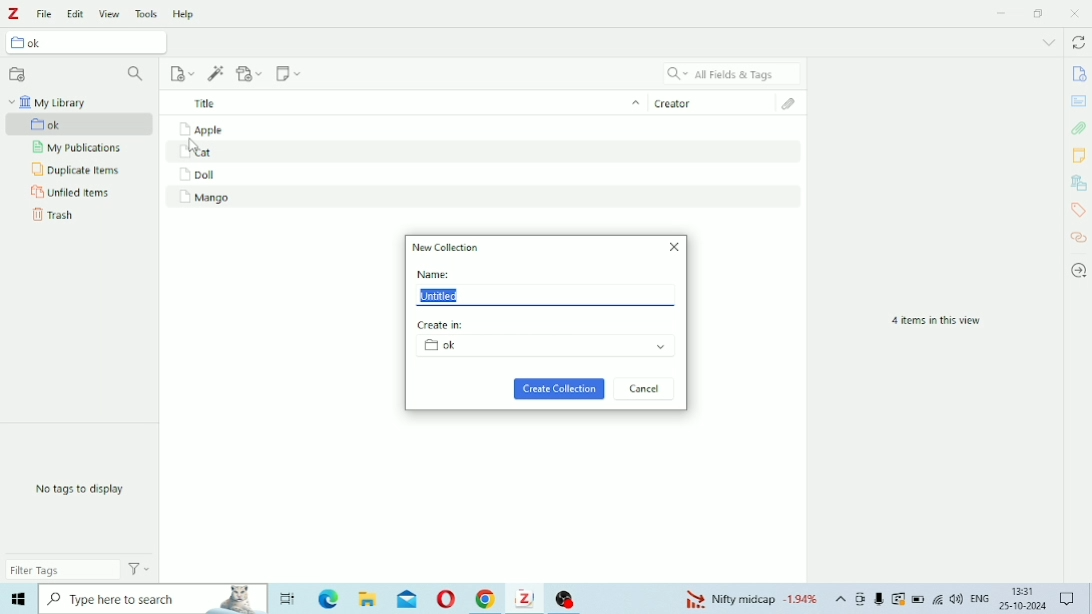 The image size is (1092, 614). What do you see at coordinates (899, 599) in the screenshot?
I see `Warning` at bounding box center [899, 599].